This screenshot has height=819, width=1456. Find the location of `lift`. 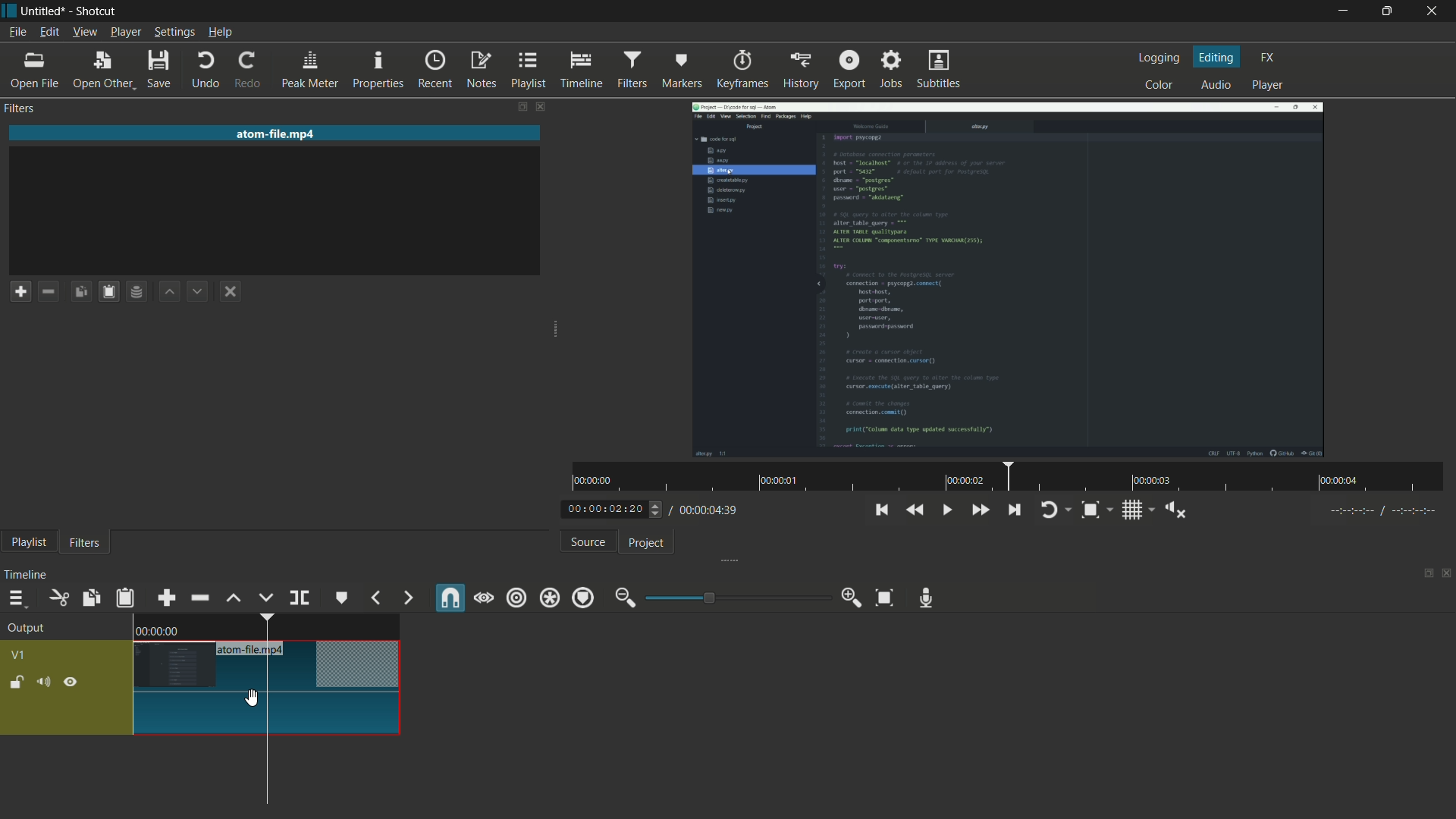

lift is located at coordinates (236, 599).